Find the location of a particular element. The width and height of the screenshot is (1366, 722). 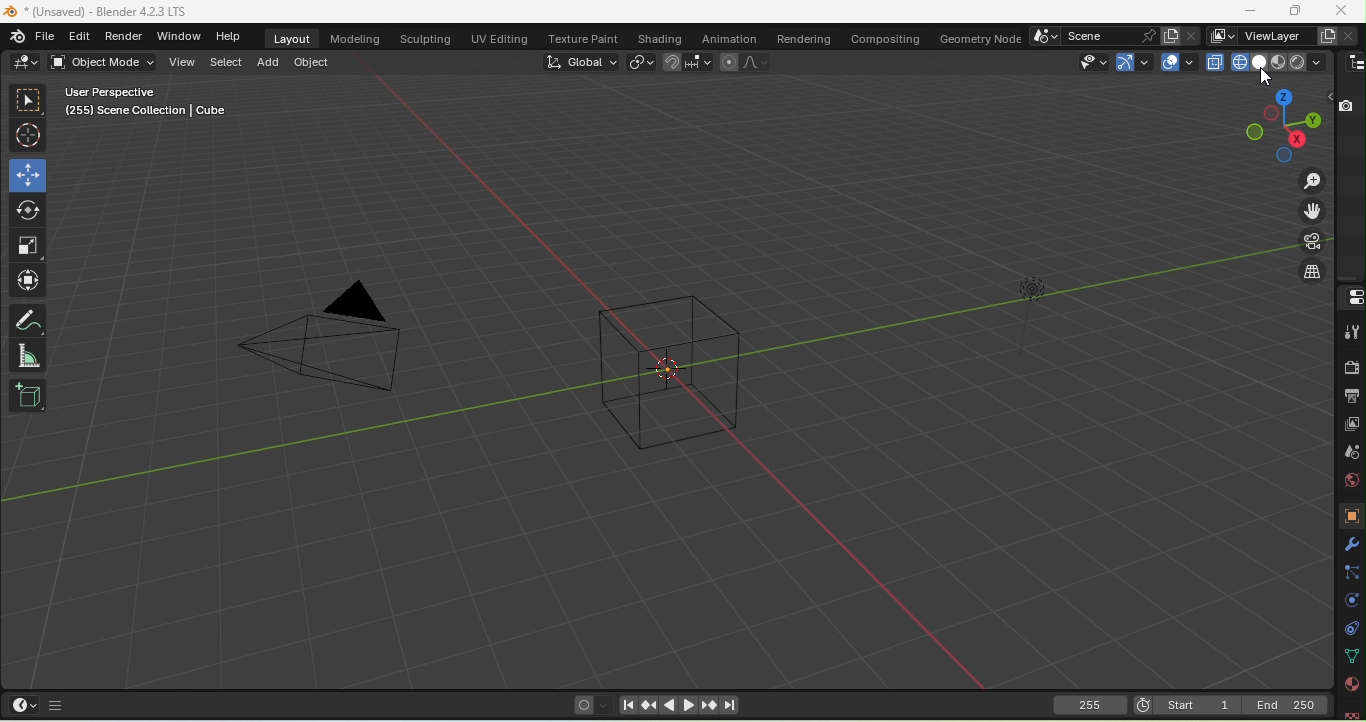

Final frame of the playback/rendering range is located at coordinates (1286, 704).